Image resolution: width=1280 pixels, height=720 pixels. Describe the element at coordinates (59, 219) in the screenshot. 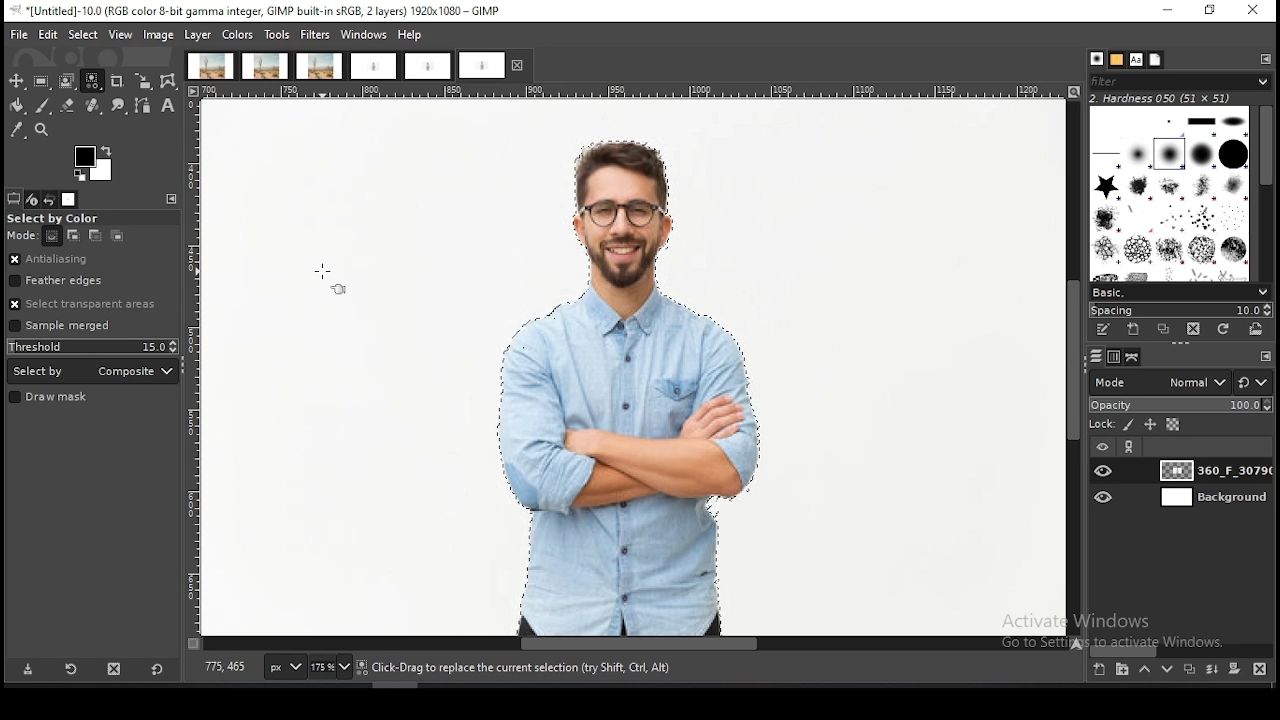

I see `select by color` at that location.